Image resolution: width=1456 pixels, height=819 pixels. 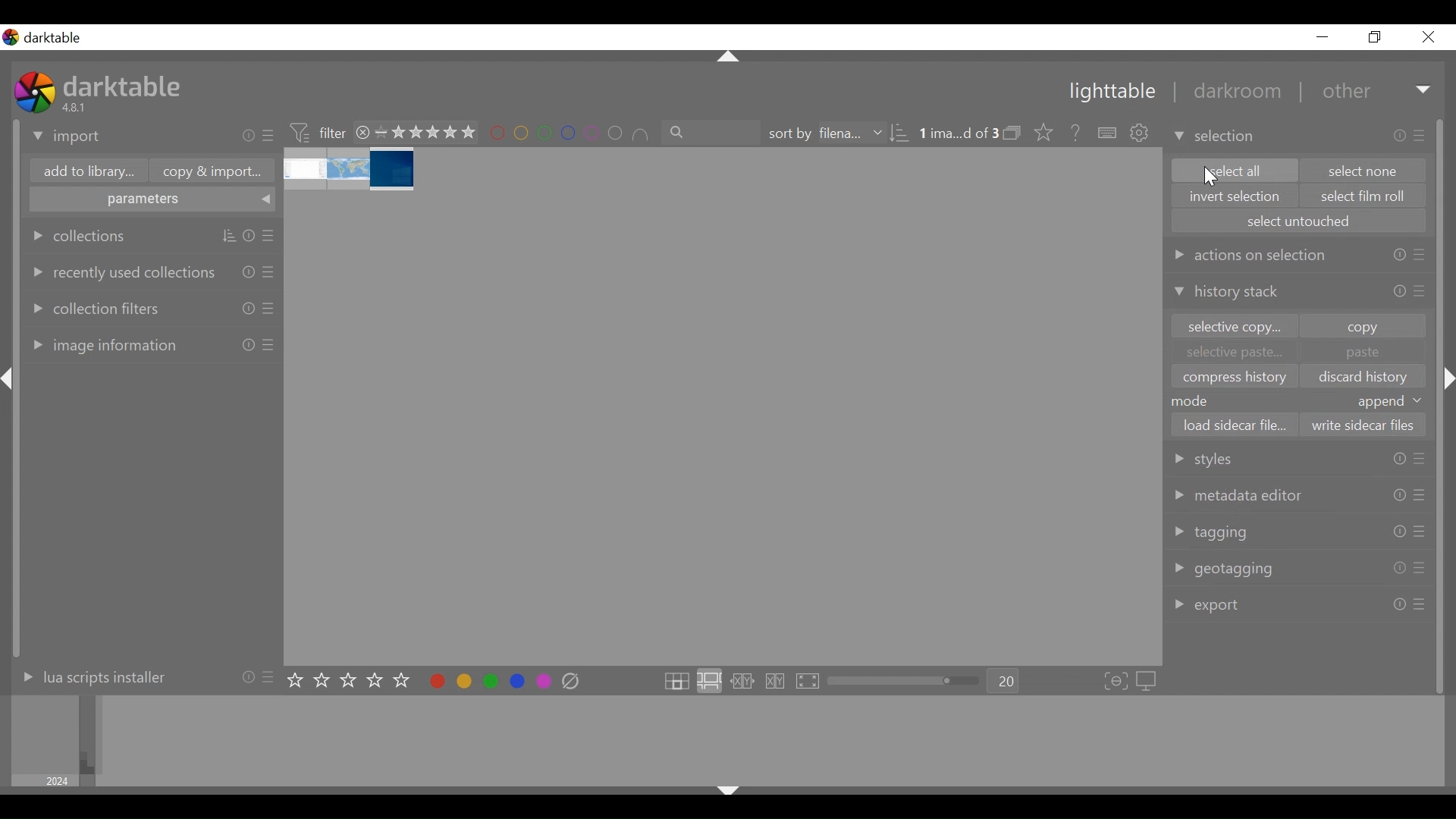 I want to click on info, so click(x=1401, y=136).